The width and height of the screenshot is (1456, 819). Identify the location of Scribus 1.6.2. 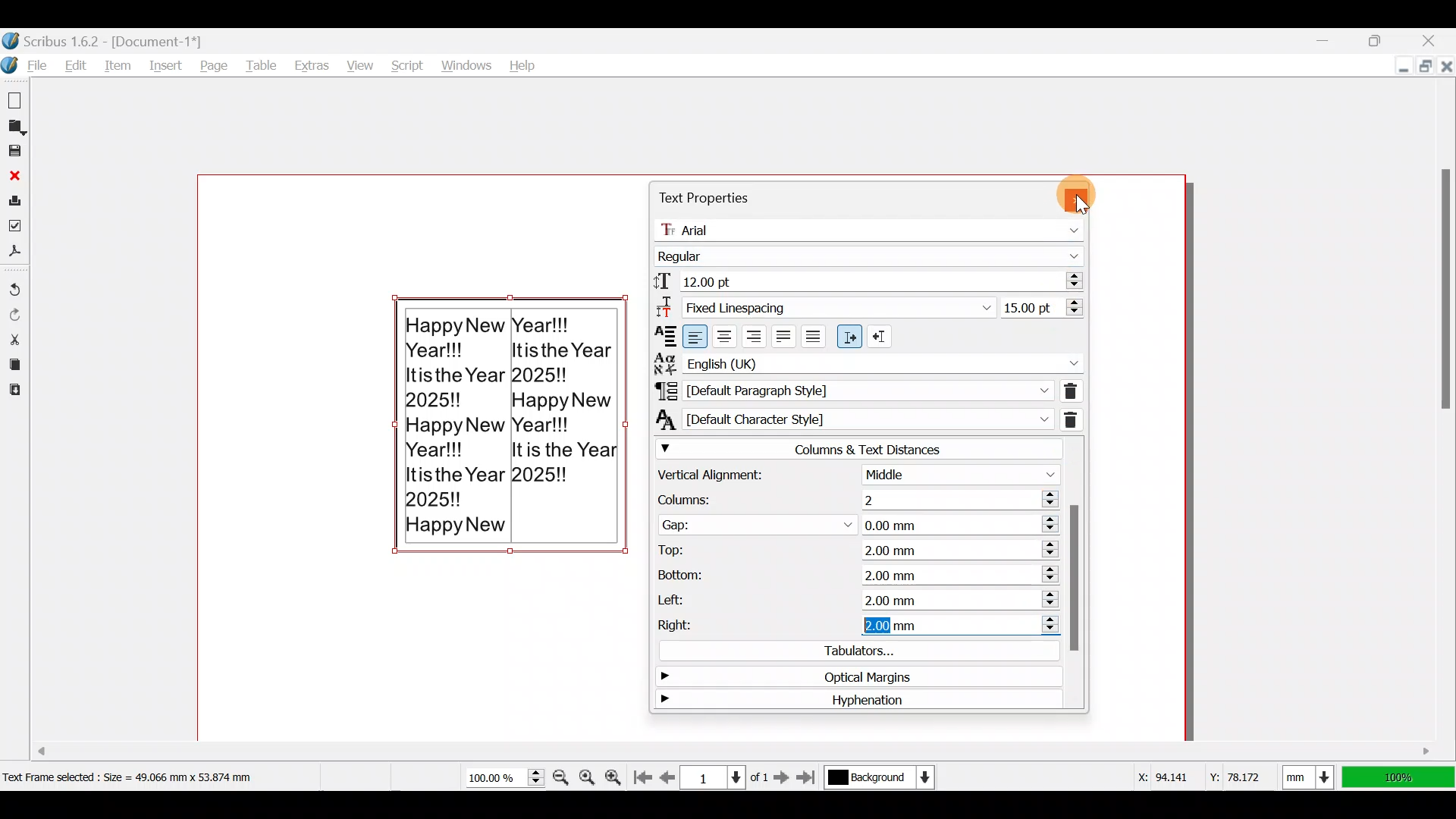
(105, 39).